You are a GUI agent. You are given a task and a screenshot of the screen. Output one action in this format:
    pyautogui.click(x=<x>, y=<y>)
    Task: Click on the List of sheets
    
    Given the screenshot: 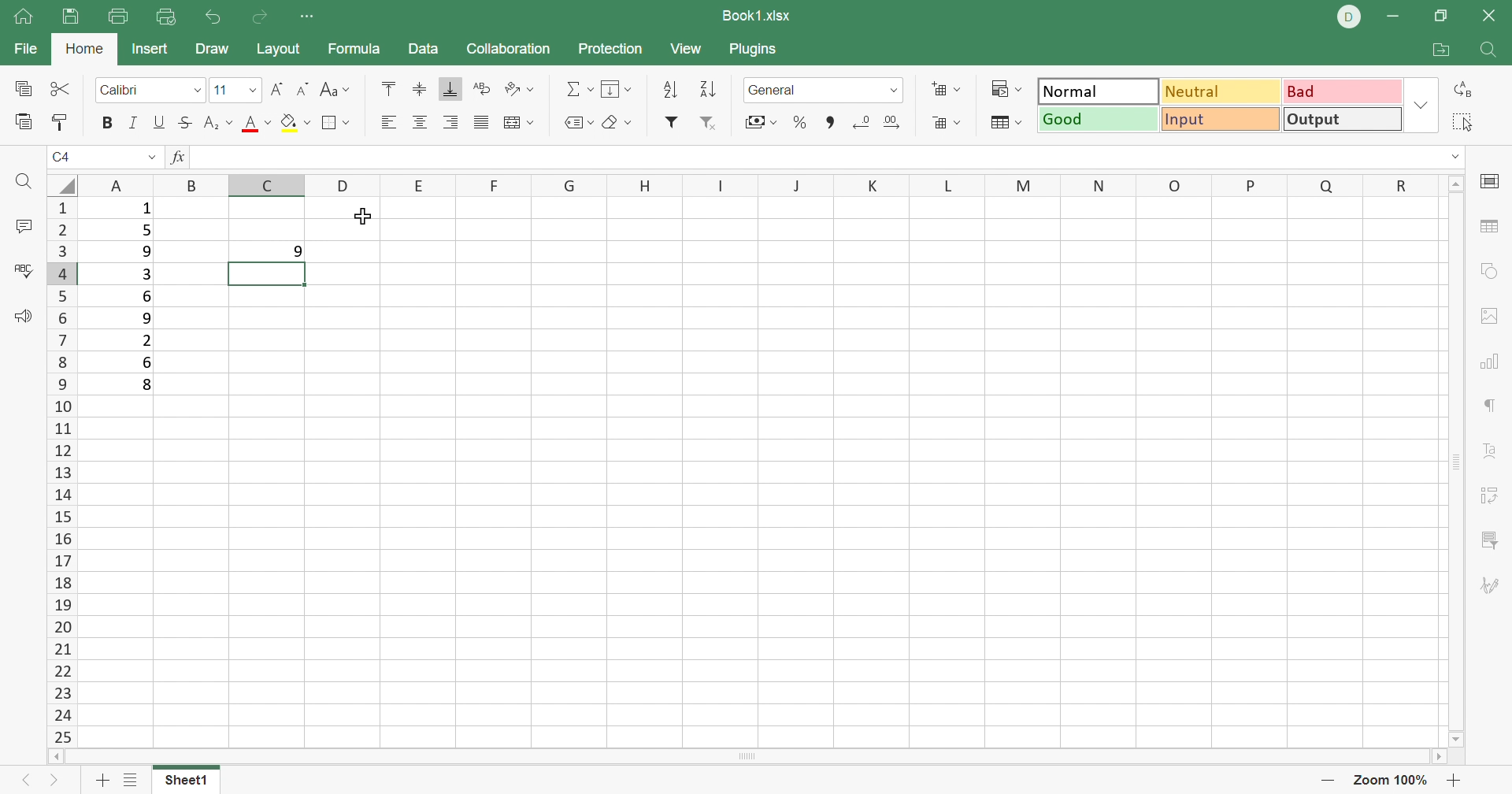 What is the action you would take?
    pyautogui.click(x=131, y=781)
    